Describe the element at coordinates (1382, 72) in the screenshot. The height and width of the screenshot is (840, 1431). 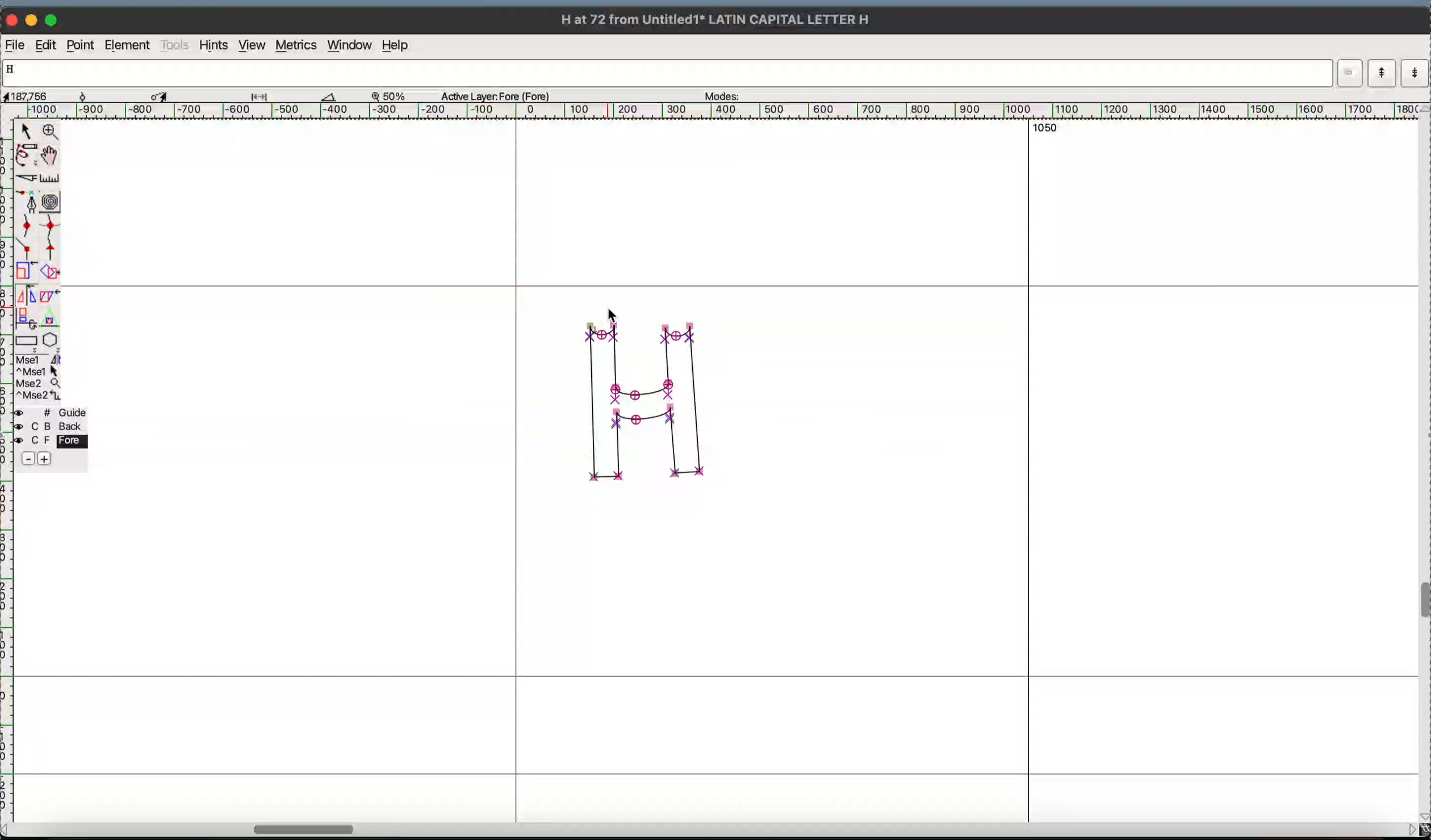
I see `previous word` at that location.